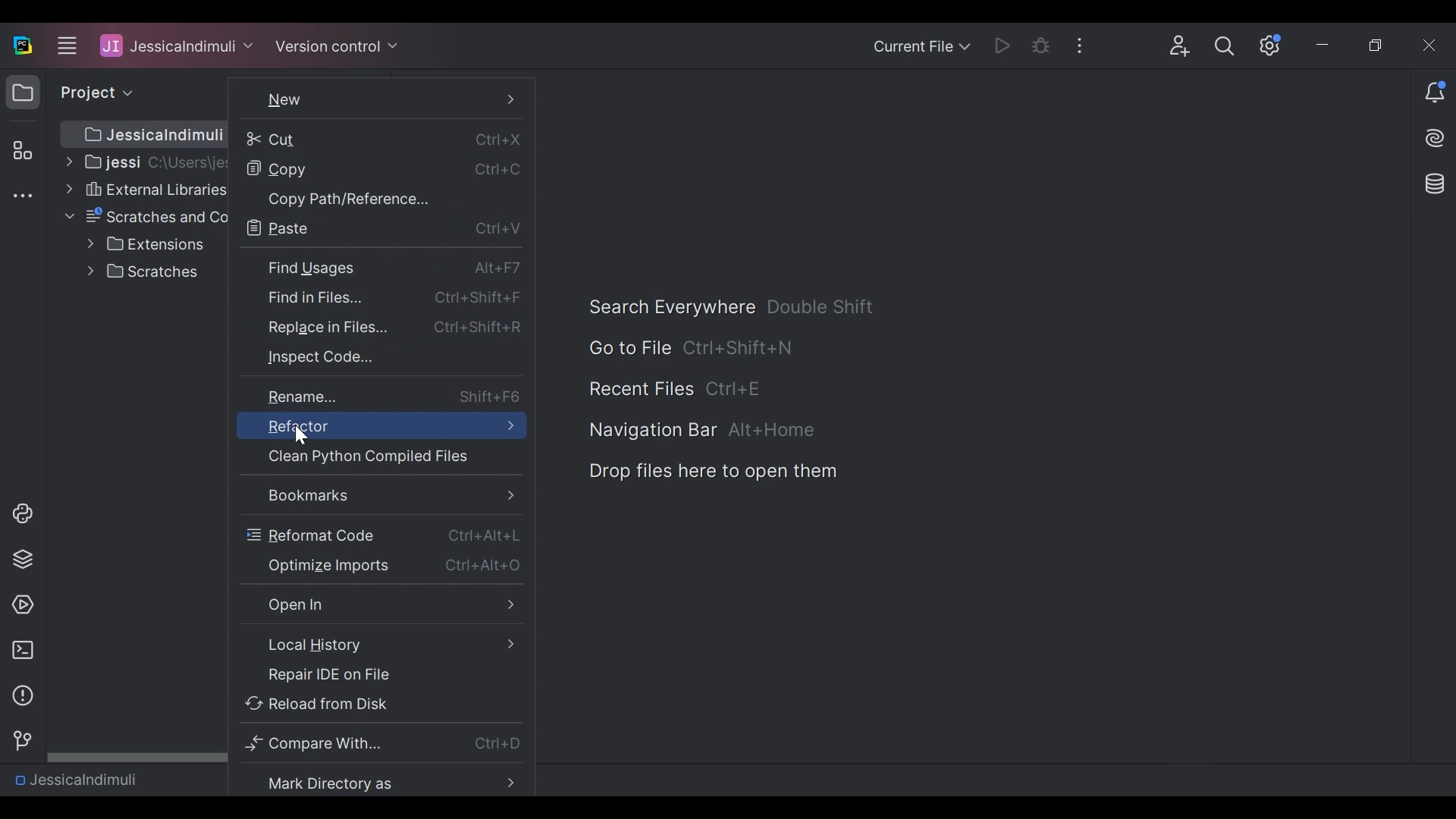  What do you see at coordinates (361, 457) in the screenshot?
I see `Clean Files Compiled` at bounding box center [361, 457].